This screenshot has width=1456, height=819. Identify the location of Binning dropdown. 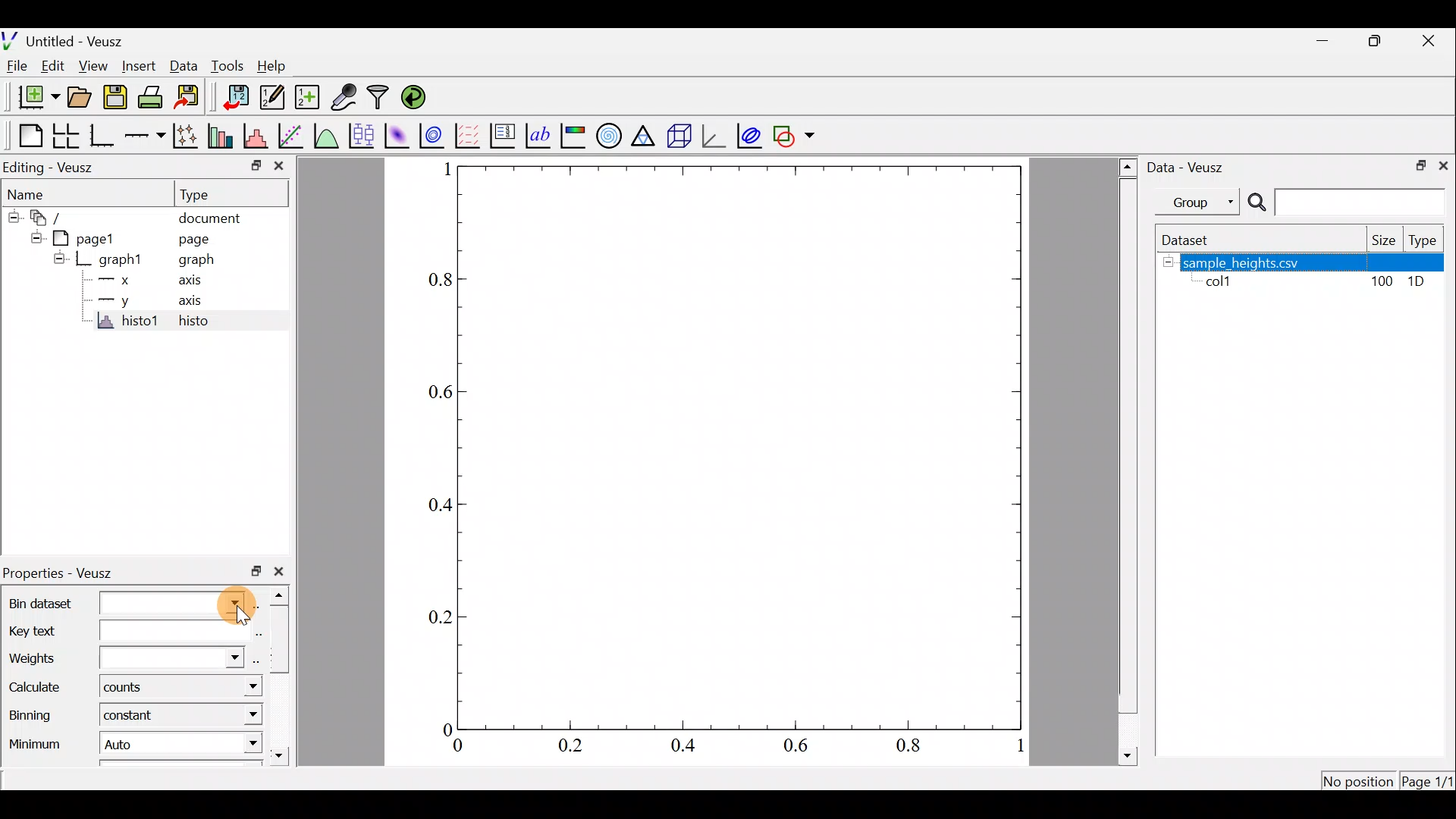
(238, 715).